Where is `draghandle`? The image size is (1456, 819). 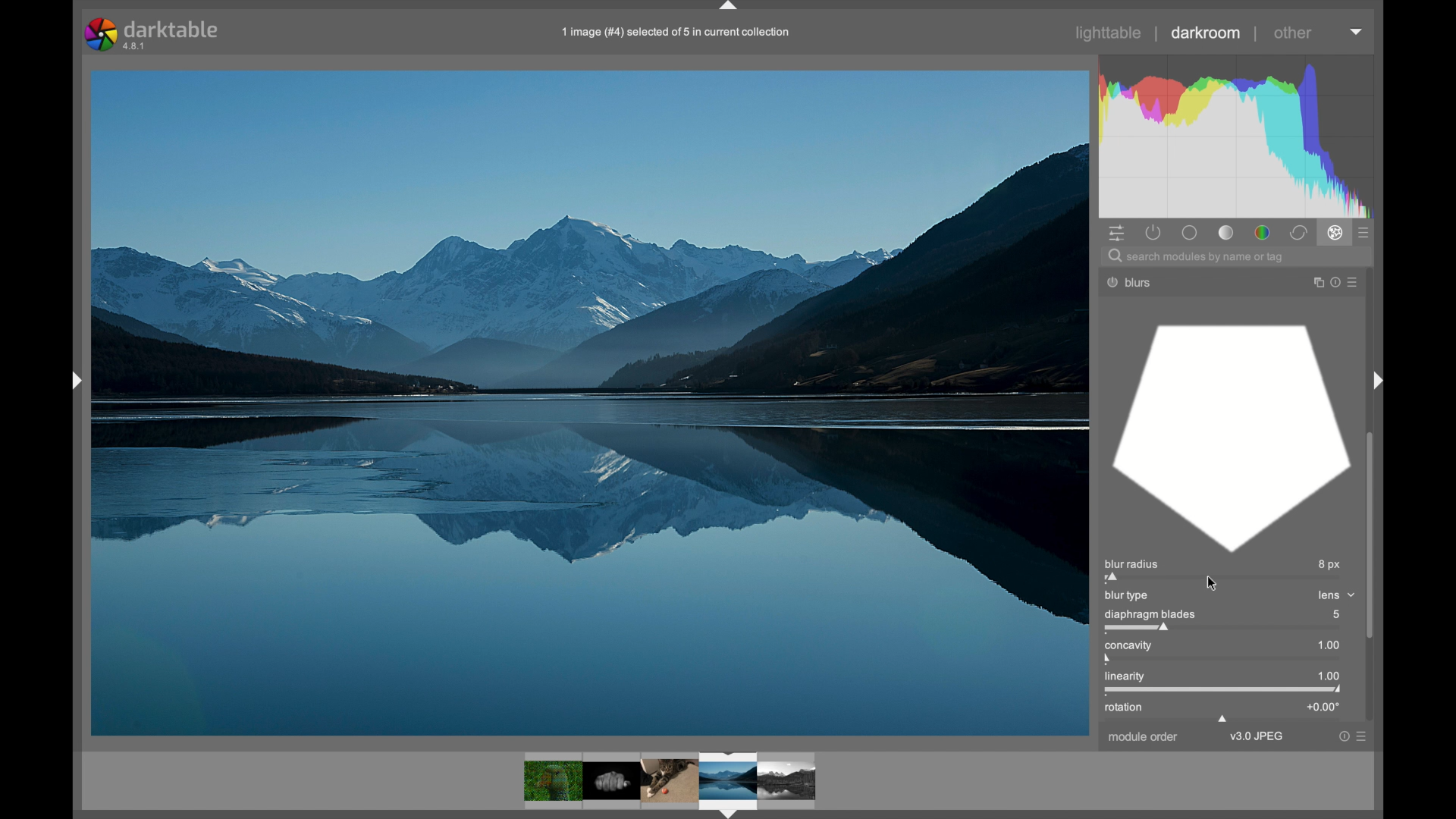
draghandle is located at coordinates (1223, 719).